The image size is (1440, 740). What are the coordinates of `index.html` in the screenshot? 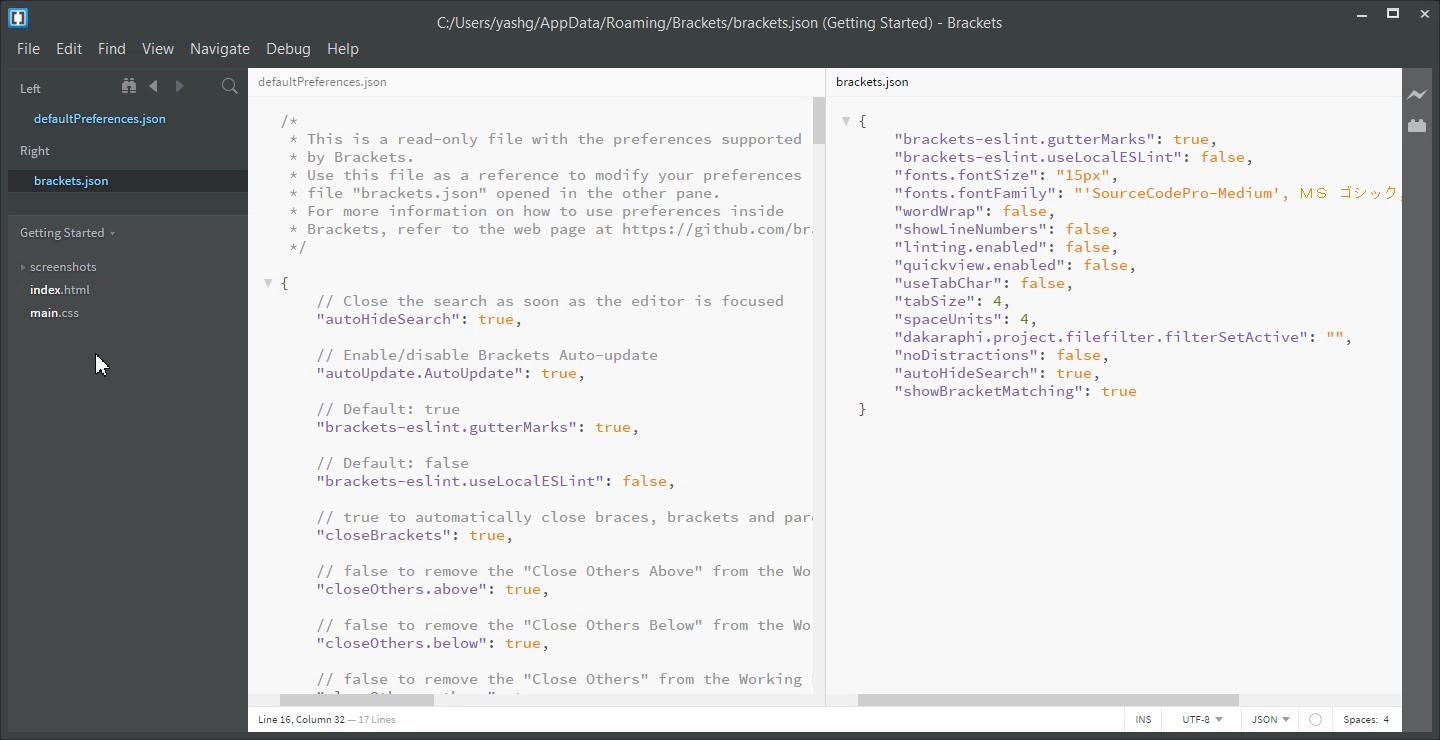 It's located at (61, 290).